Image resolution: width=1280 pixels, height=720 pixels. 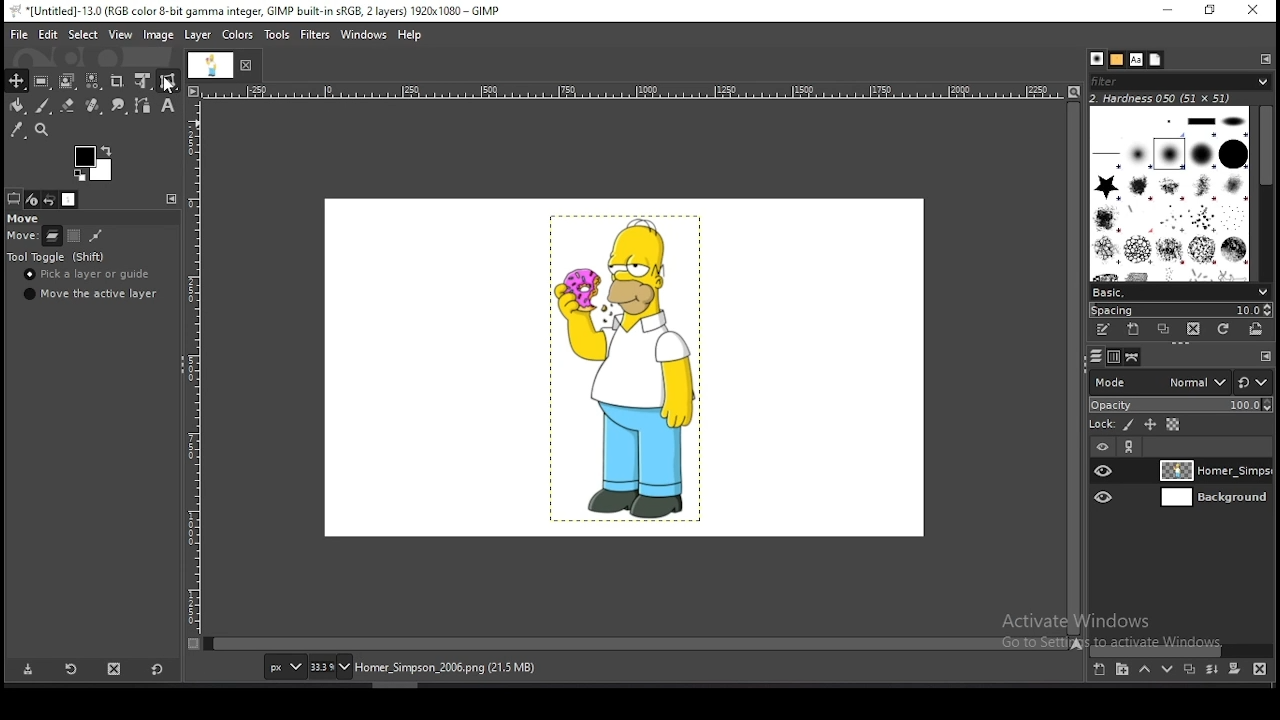 I want to click on edit this brush, so click(x=1106, y=330).